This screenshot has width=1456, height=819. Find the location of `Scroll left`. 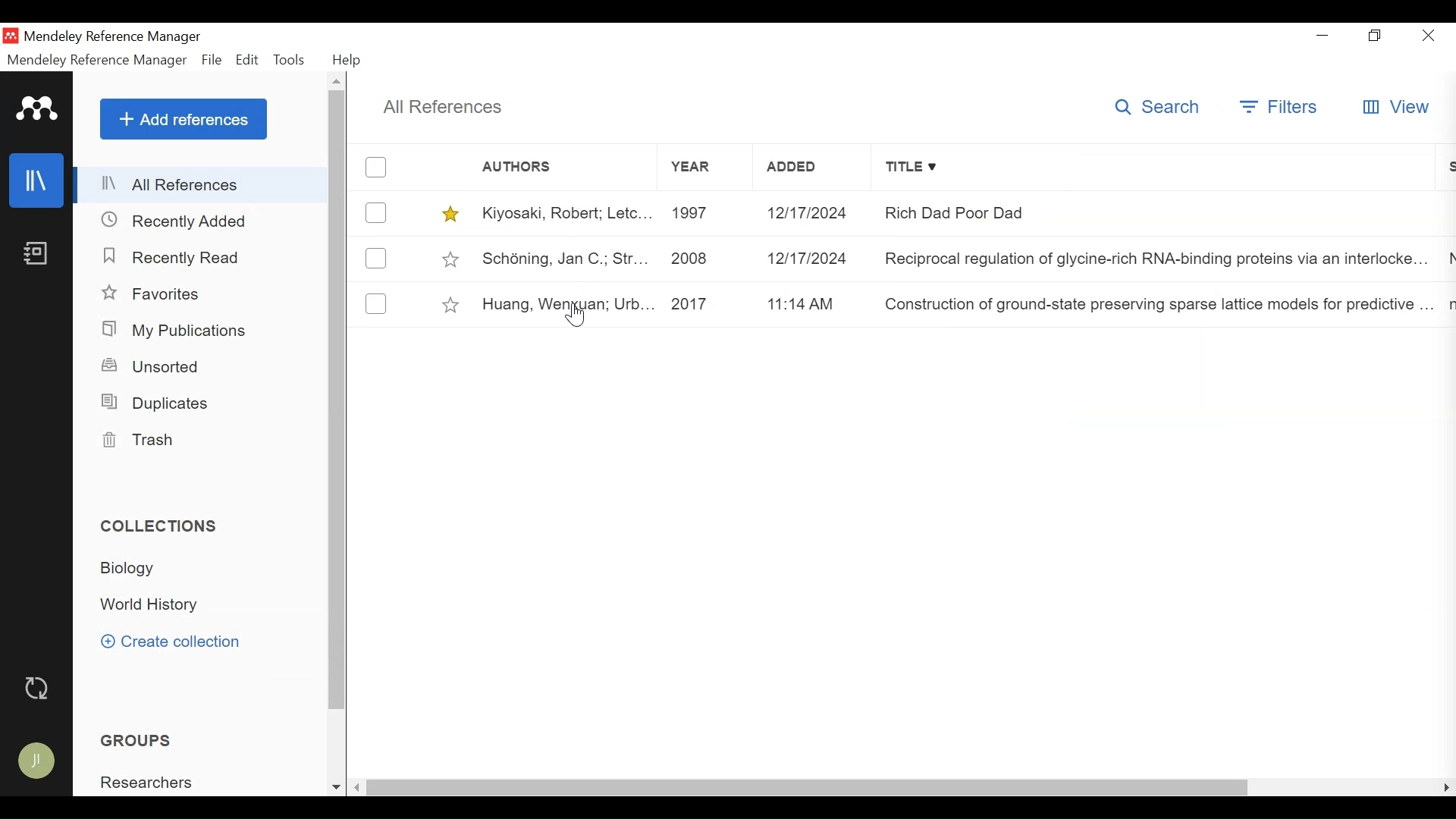

Scroll left is located at coordinates (358, 788).